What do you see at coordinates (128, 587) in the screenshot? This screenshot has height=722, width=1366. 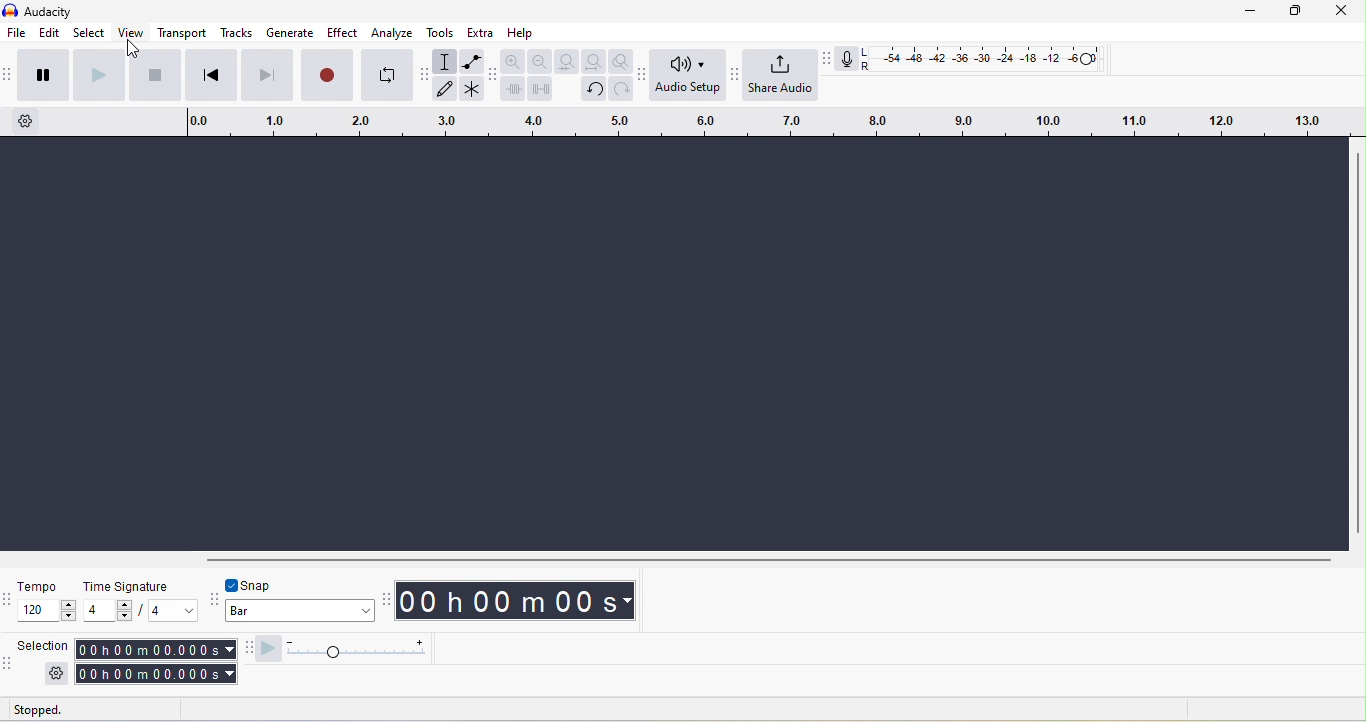 I see `time signature` at bounding box center [128, 587].